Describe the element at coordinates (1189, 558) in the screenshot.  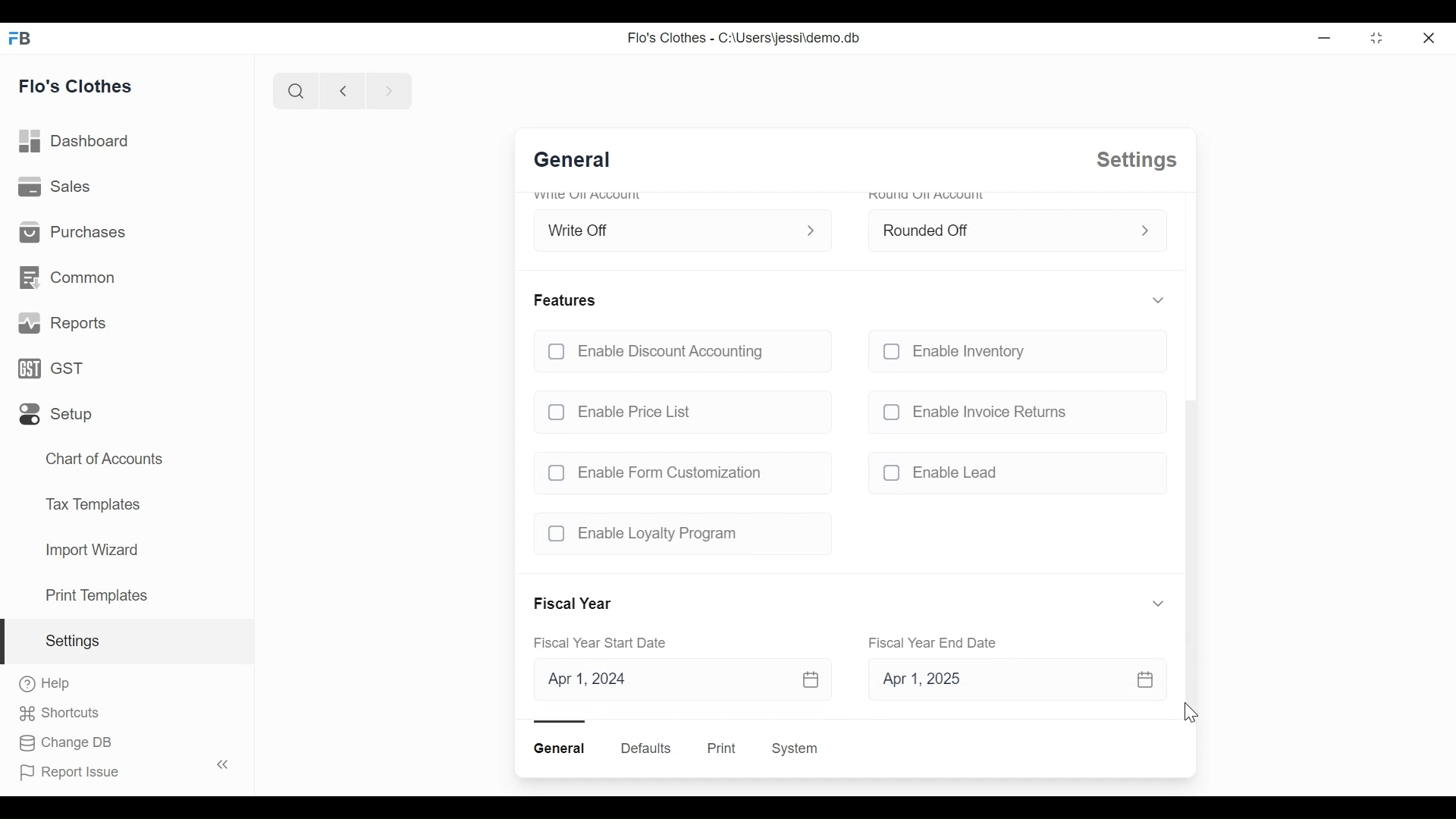
I see `Vertical scroll bar` at that location.